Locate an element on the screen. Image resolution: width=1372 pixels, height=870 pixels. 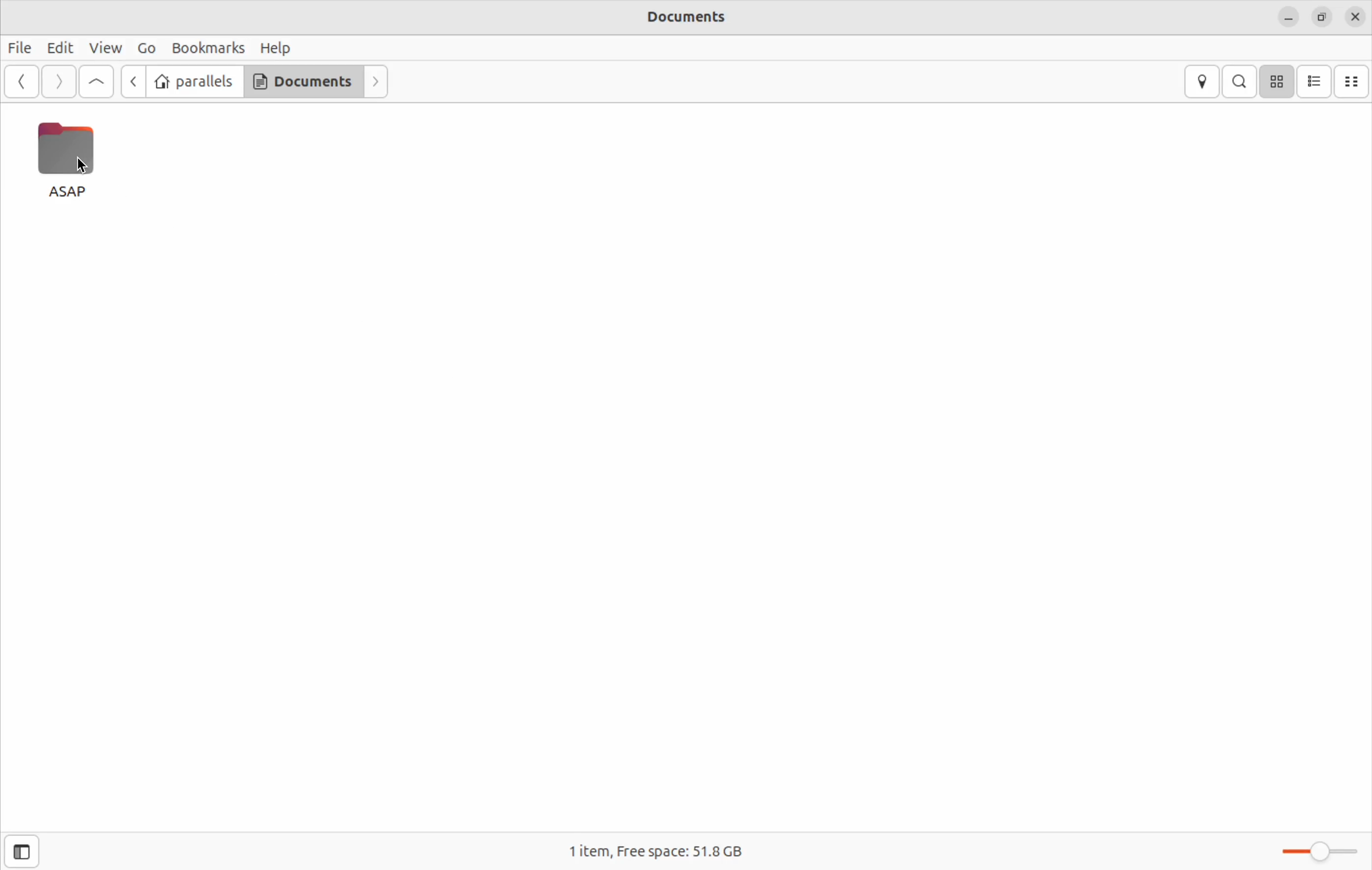
Forward is located at coordinates (59, 82).